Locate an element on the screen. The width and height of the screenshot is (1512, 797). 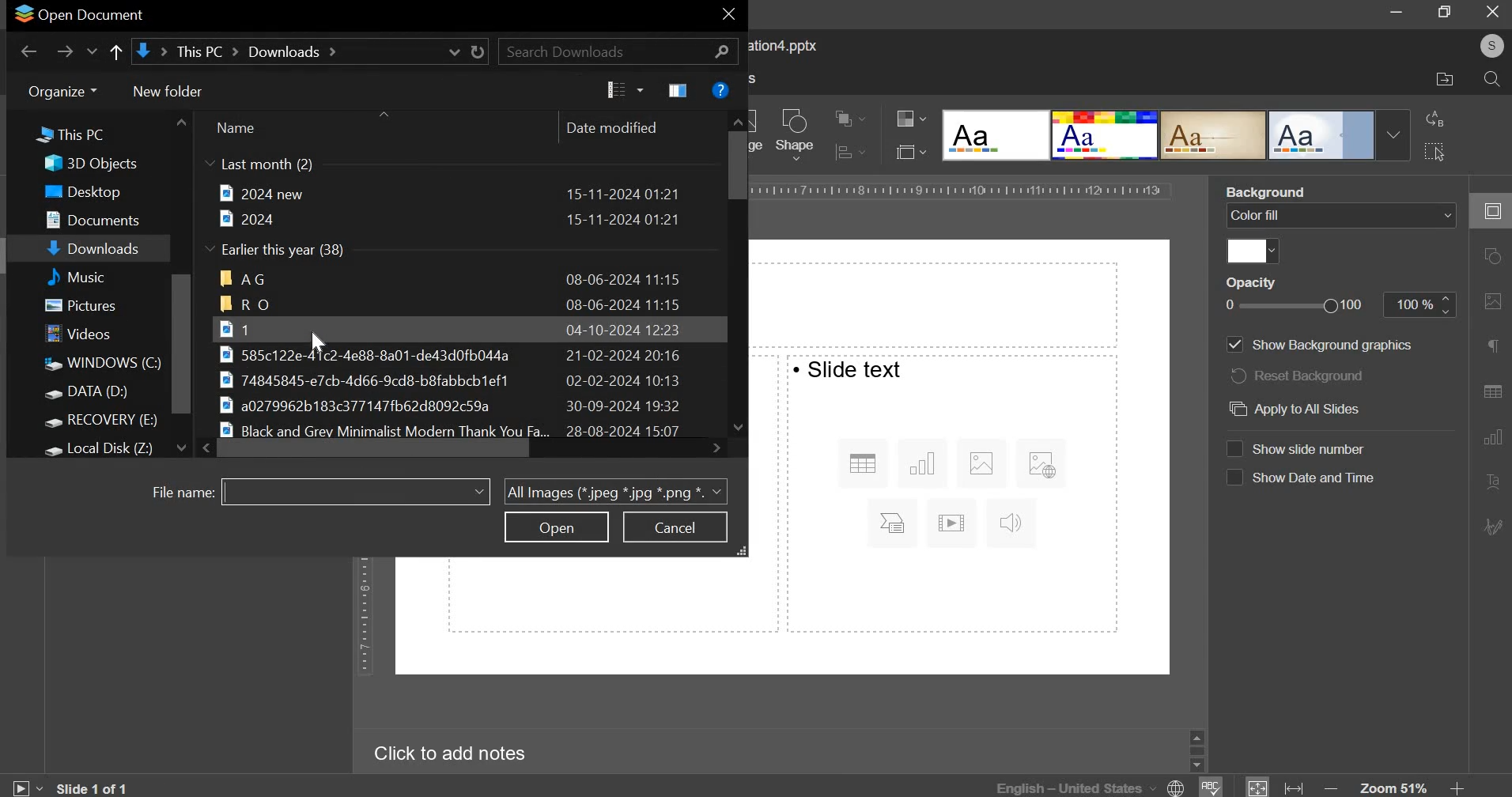
change color theme is located at coordinates (905, 119).